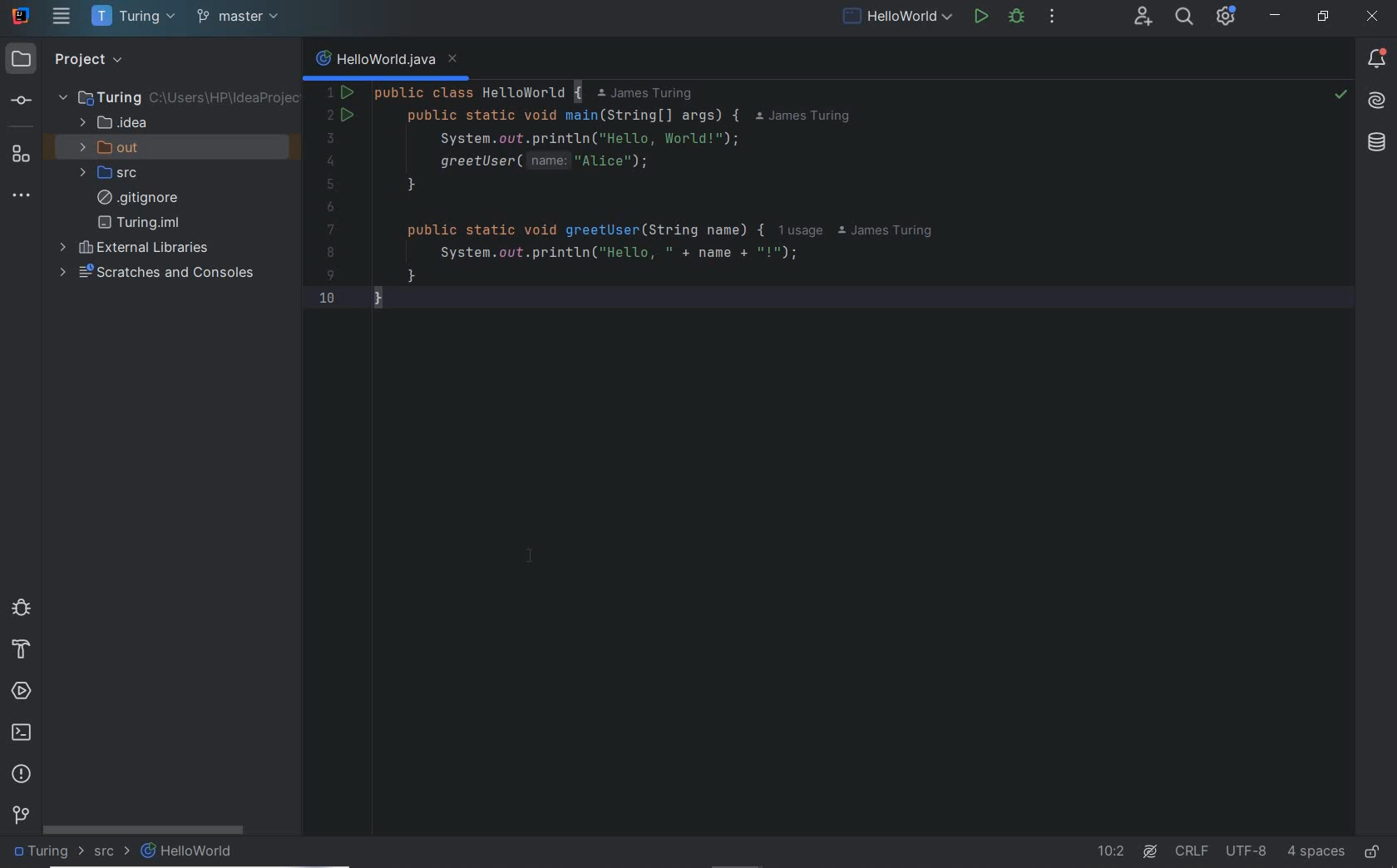 This screenshot has width=1397, height=868. What do you see at coordinates (979, 15) in the screenshot?
I see `RUN` at bounding box center [979, 15].